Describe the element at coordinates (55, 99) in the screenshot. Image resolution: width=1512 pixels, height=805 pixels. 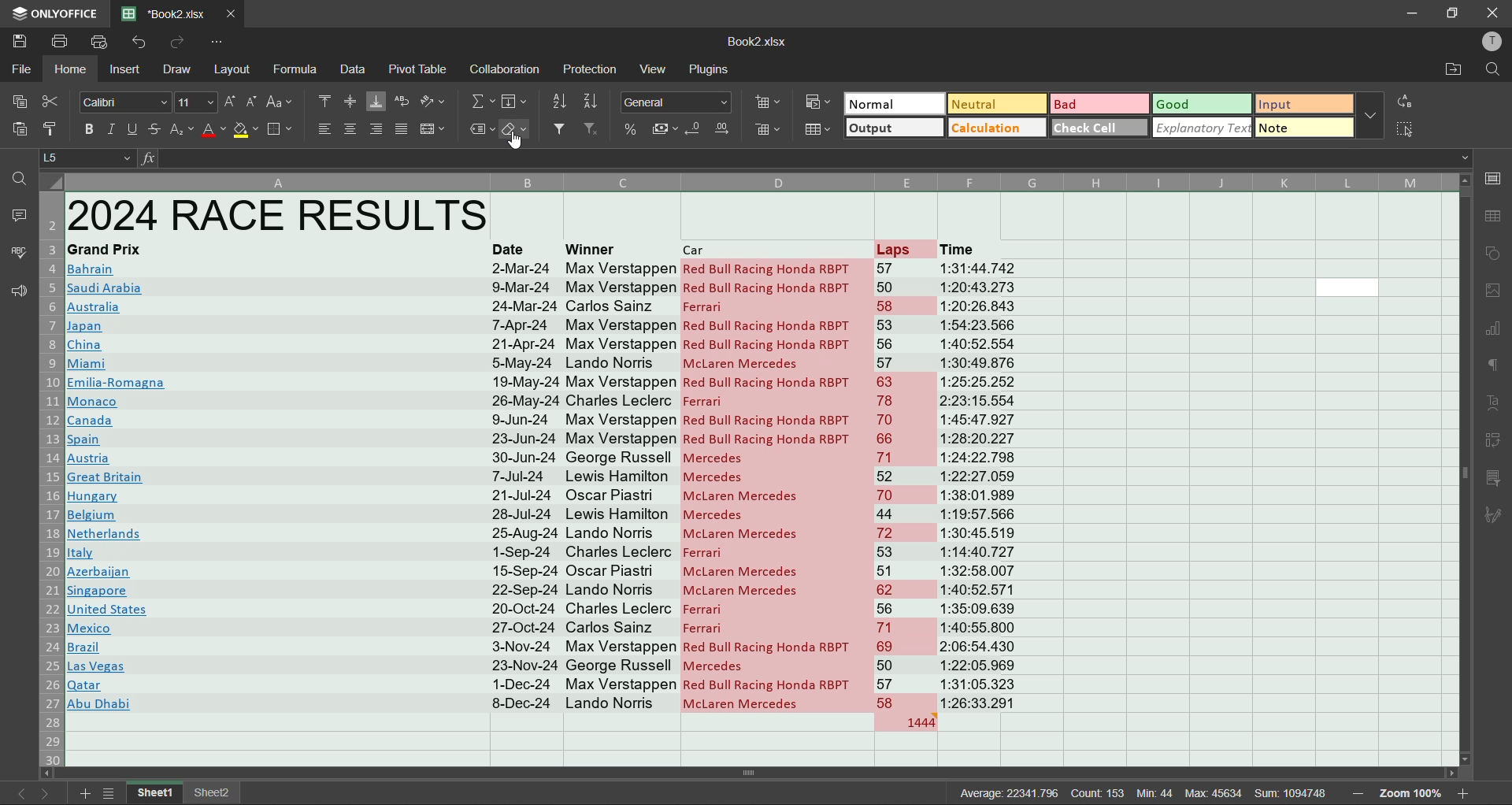
I see `cut` at that location.